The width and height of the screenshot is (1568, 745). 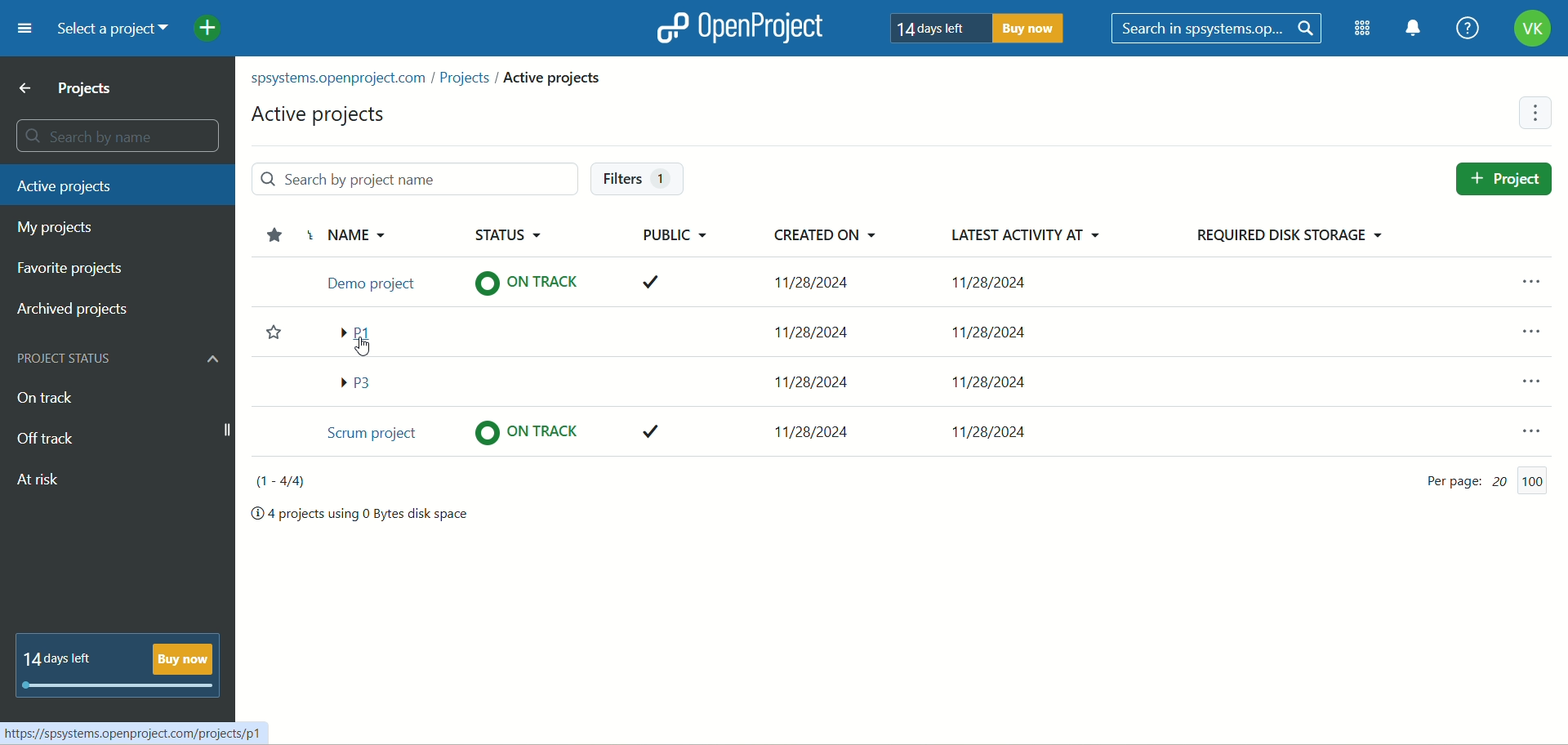 What do you see at coordinates (274, 483) in the screenshot?
I see `project number` at bounding box center [274, 483].